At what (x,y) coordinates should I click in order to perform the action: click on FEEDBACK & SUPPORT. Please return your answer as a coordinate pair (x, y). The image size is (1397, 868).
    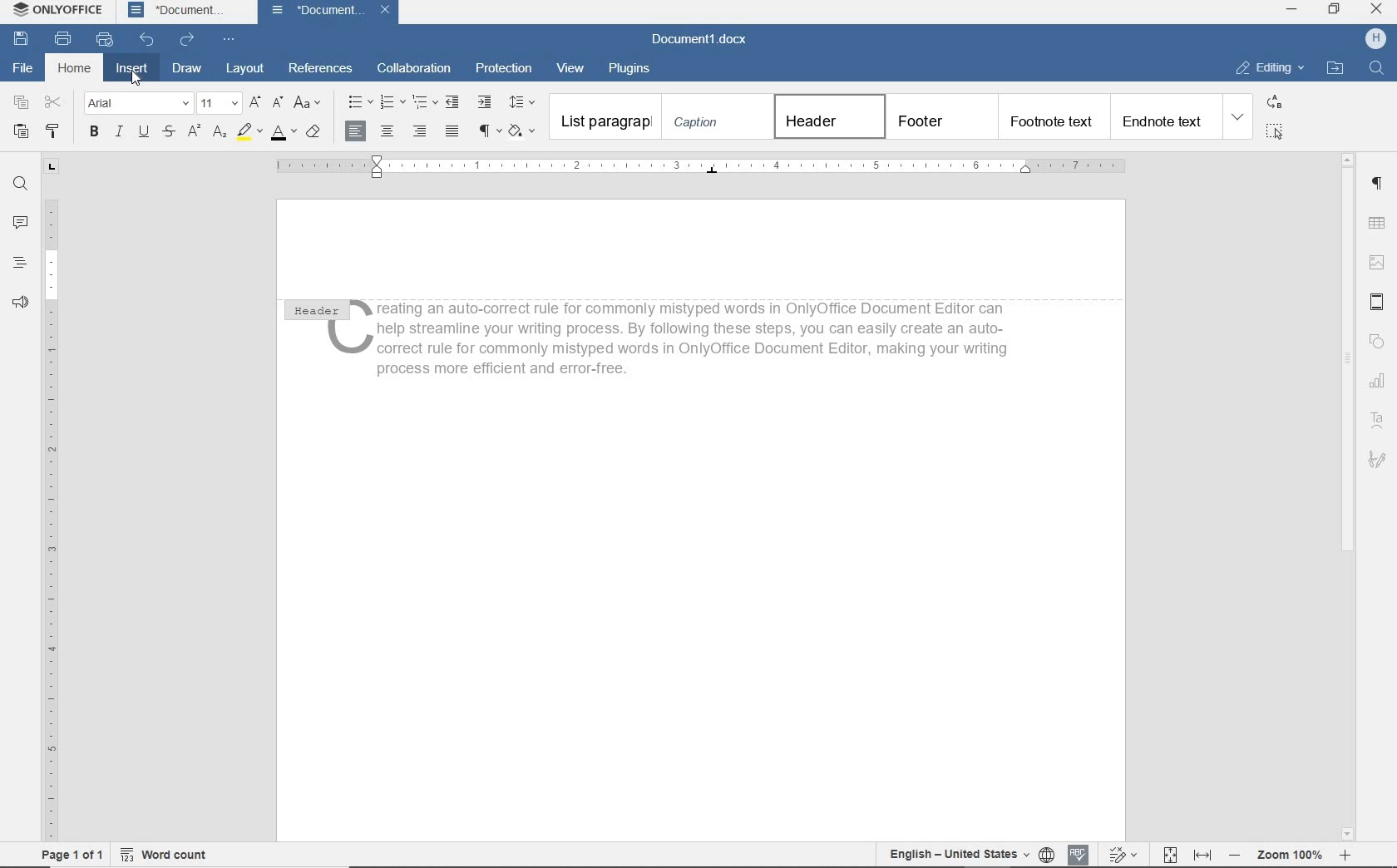
    Looking at the image, I should click on (21, 300).